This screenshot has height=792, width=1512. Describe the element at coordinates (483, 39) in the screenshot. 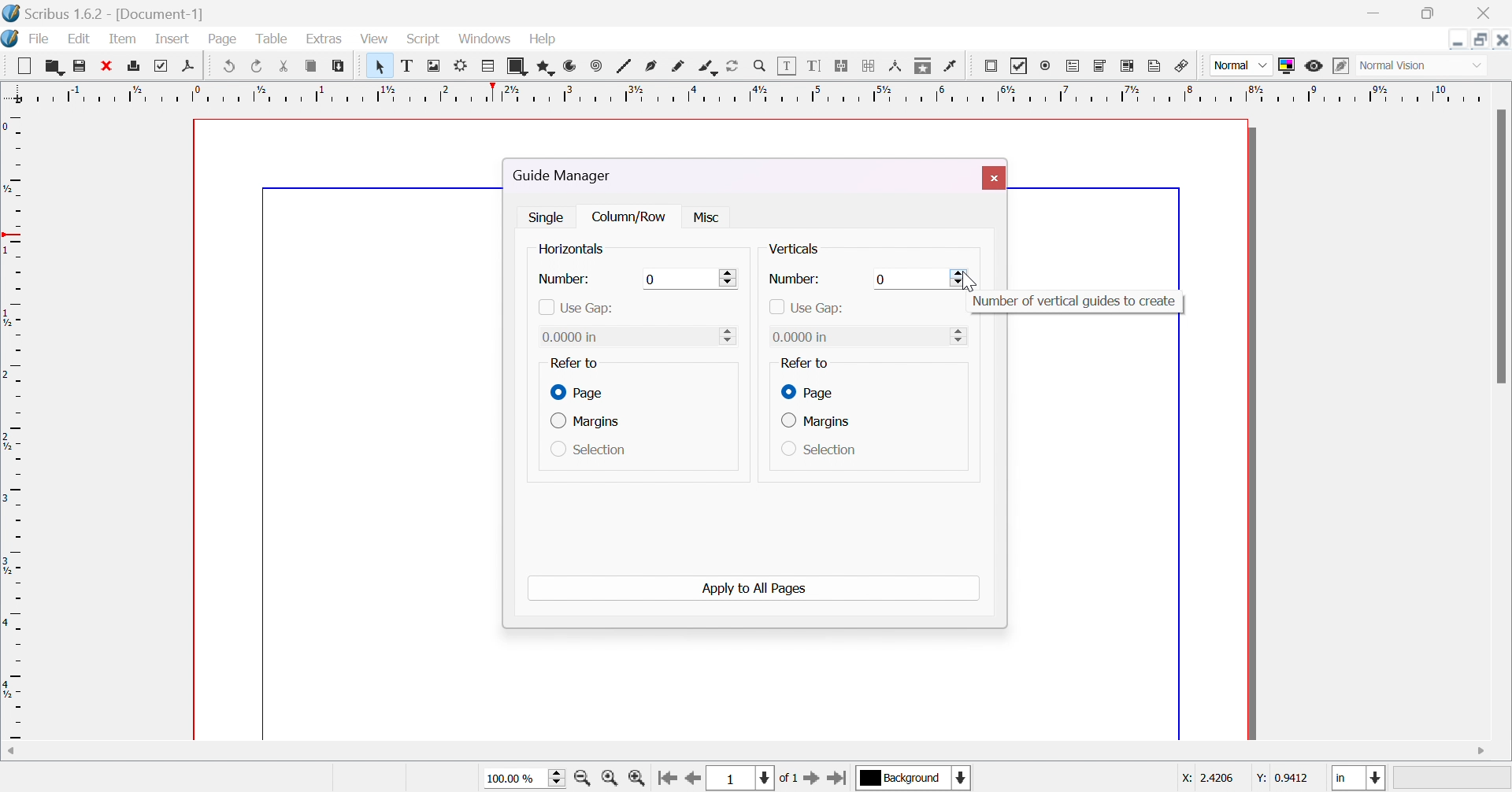

I see `windows` at that location.